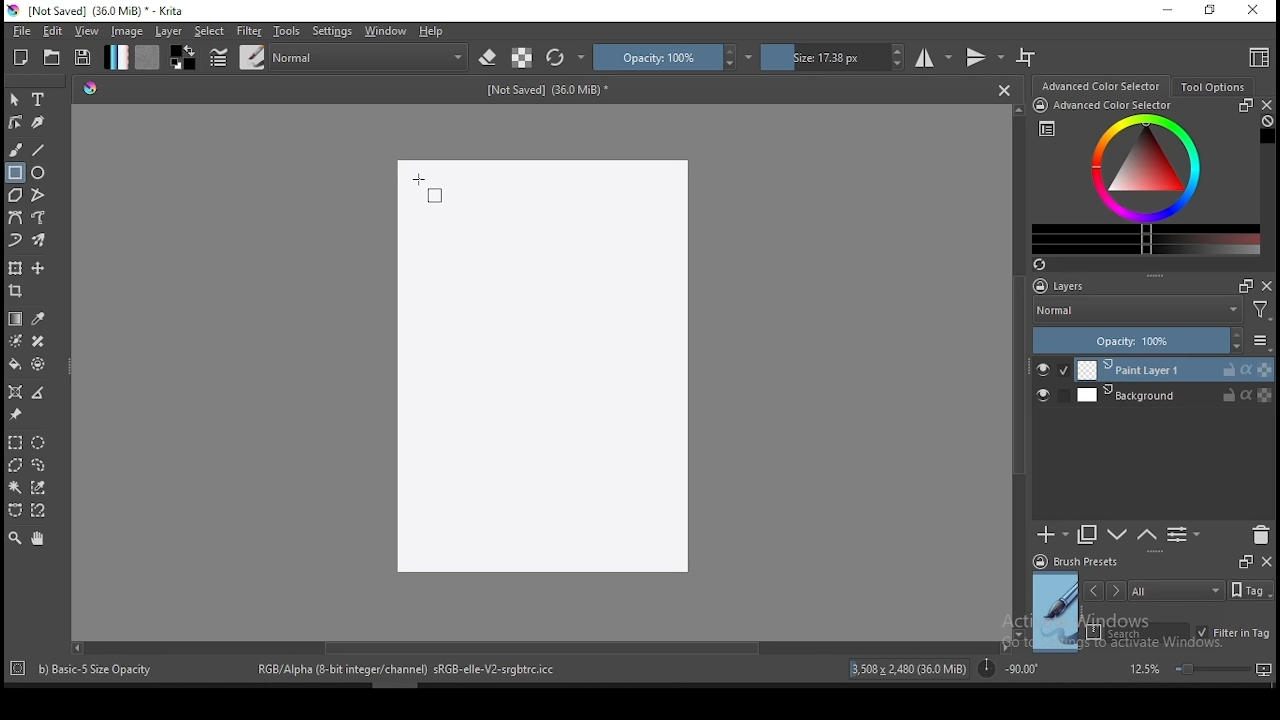  Describe the element at coordinates (15, 173) in the screenshot. I see `rectangle tool` at that location.